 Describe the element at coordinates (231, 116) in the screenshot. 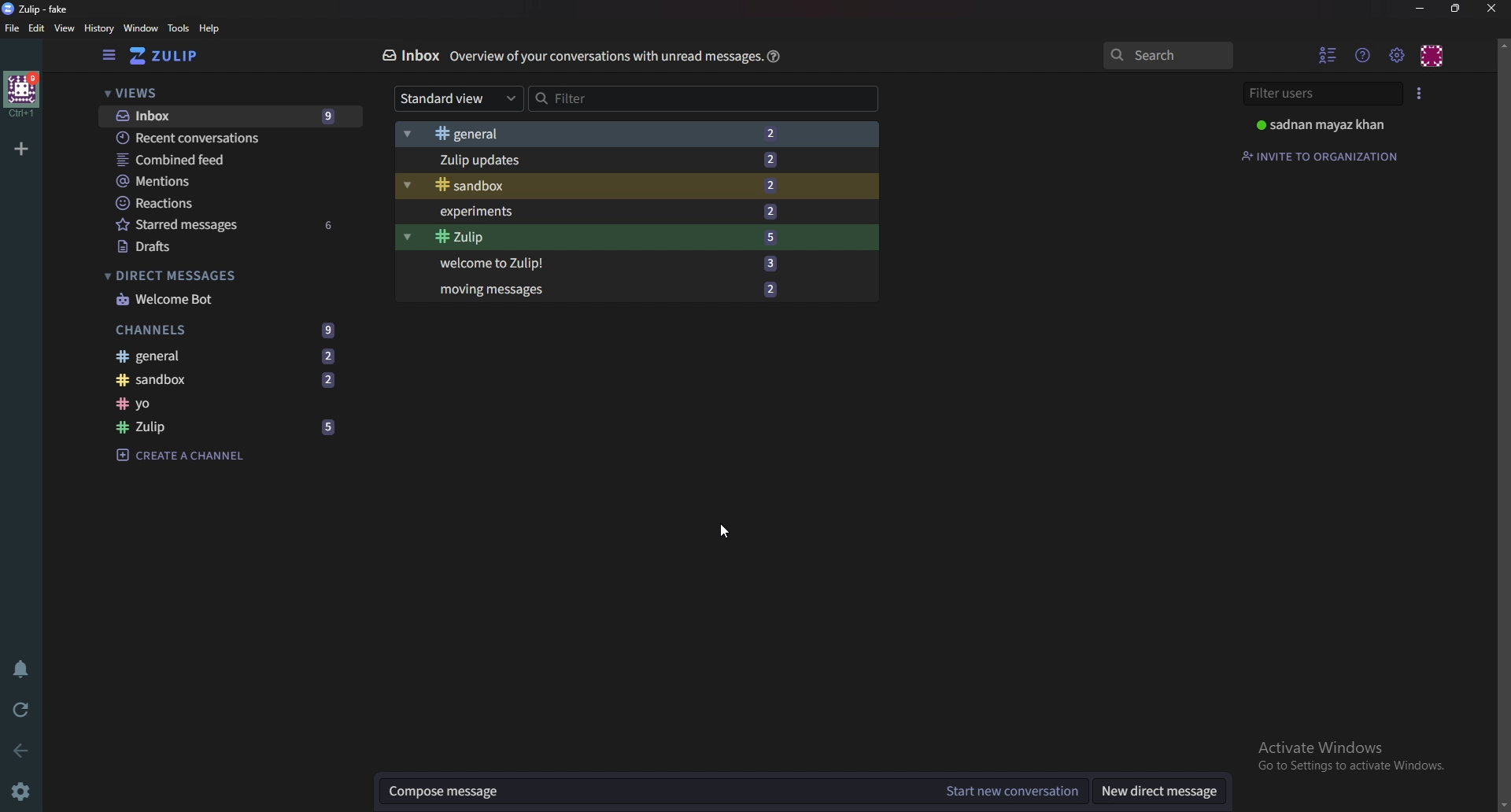

I see `Inbox` at that location.